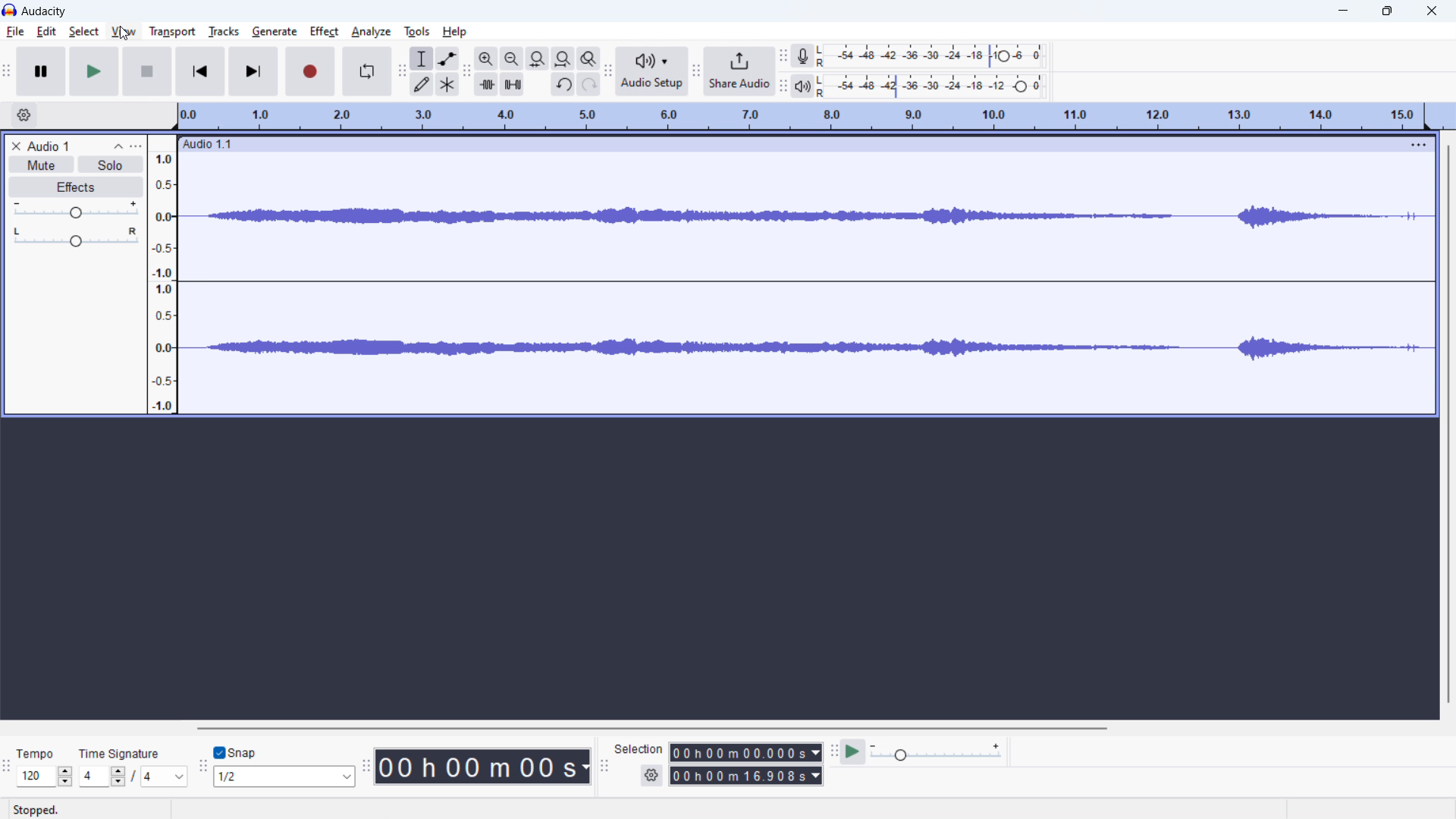  I want to click on zoom out, so click(513, 58).